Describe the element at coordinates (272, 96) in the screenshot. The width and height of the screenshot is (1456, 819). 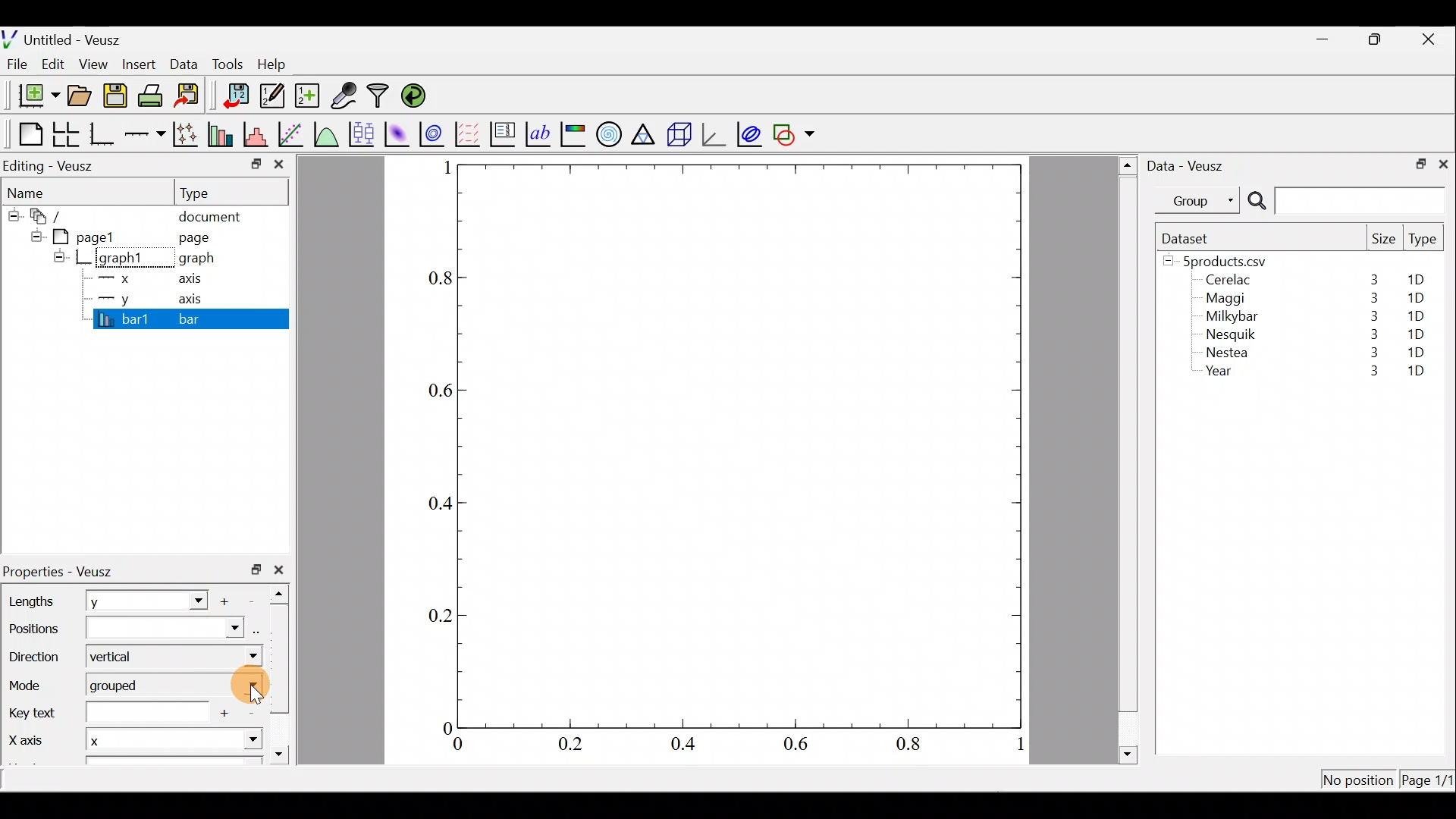
I see `Edit and enter new datasets` at that location.